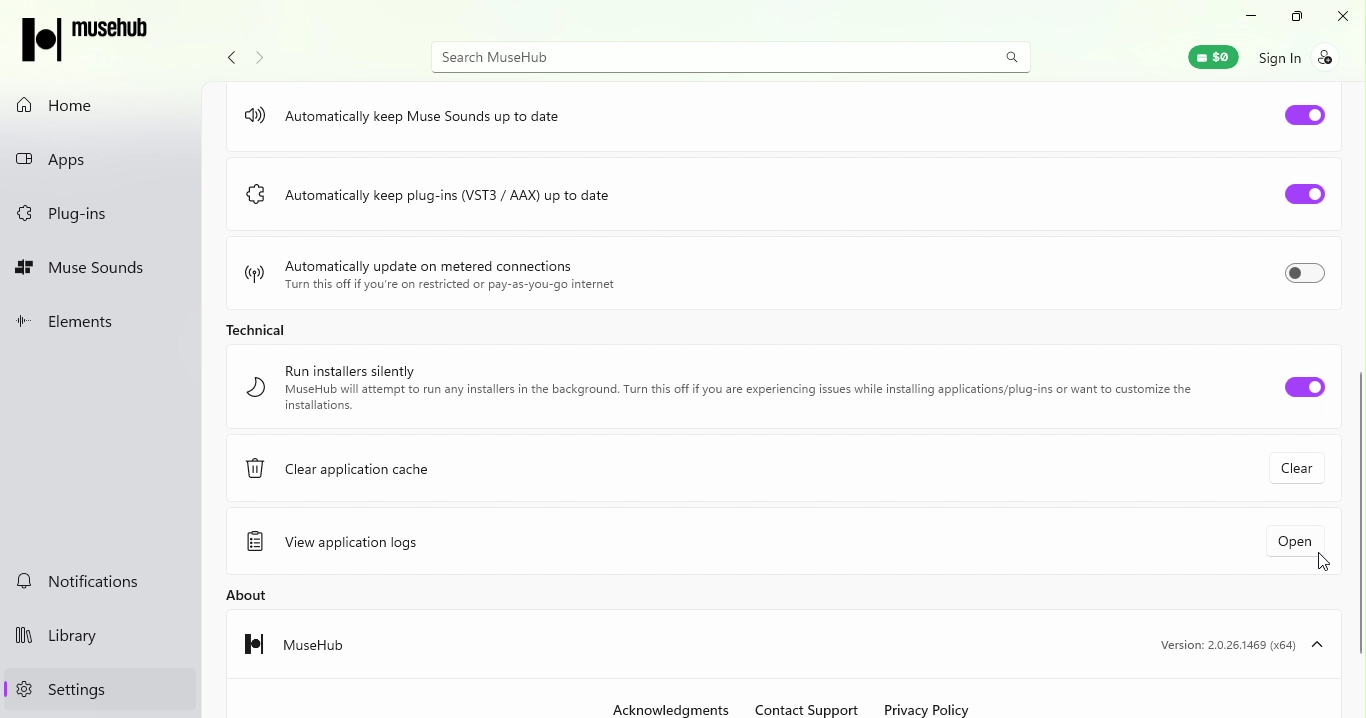 This screenshot has width=1366, height=718. What do you see at coordinates (1306, 270) in the screenshot?
I see `Toggle Automatically update on metered connections` at bounding box center [1306, 270].